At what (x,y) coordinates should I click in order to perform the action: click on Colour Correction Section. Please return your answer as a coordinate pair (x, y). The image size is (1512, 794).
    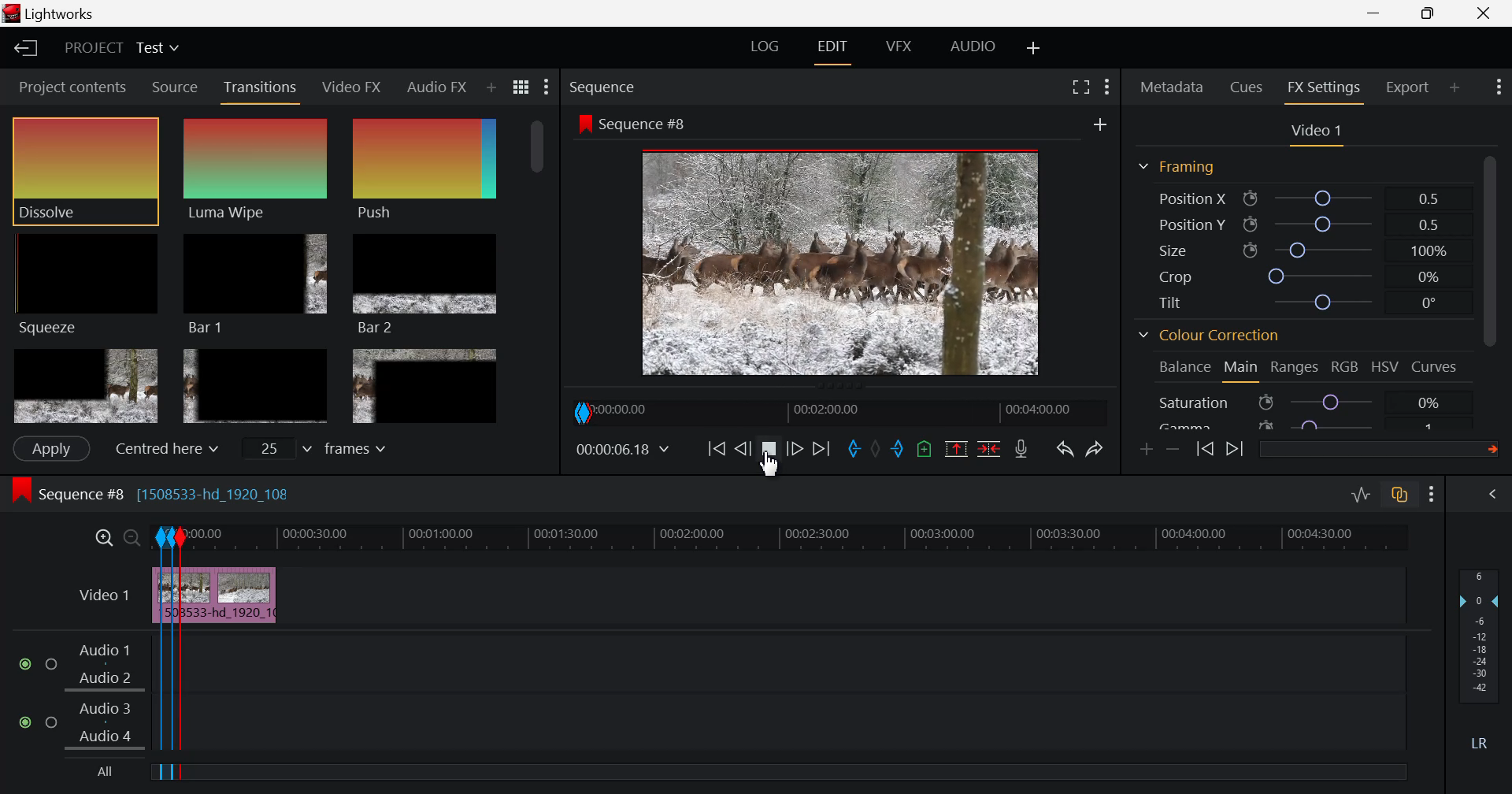
    Looking at the image, I should click on (1210, 337).